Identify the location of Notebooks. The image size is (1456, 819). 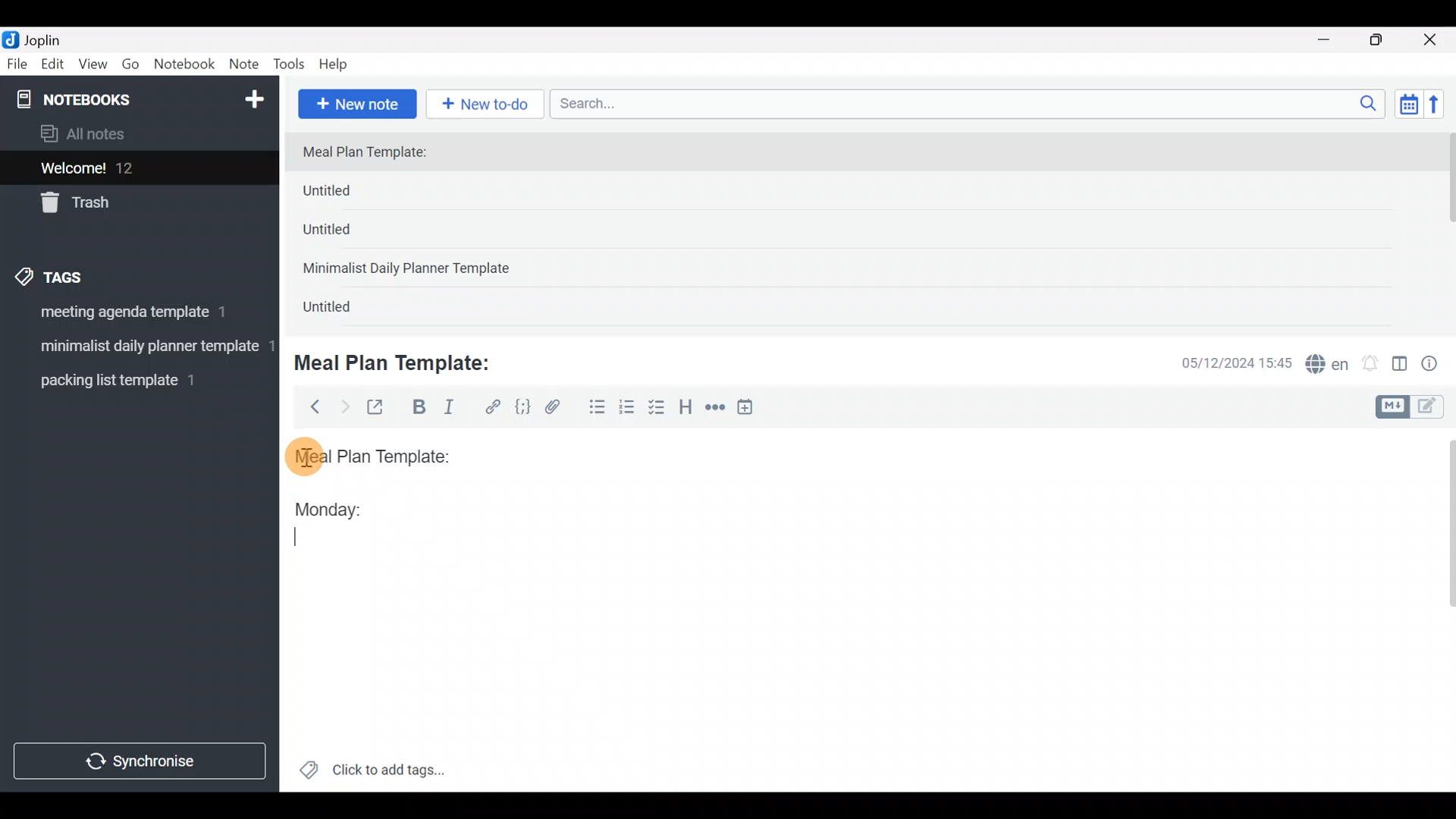
(107, 99).